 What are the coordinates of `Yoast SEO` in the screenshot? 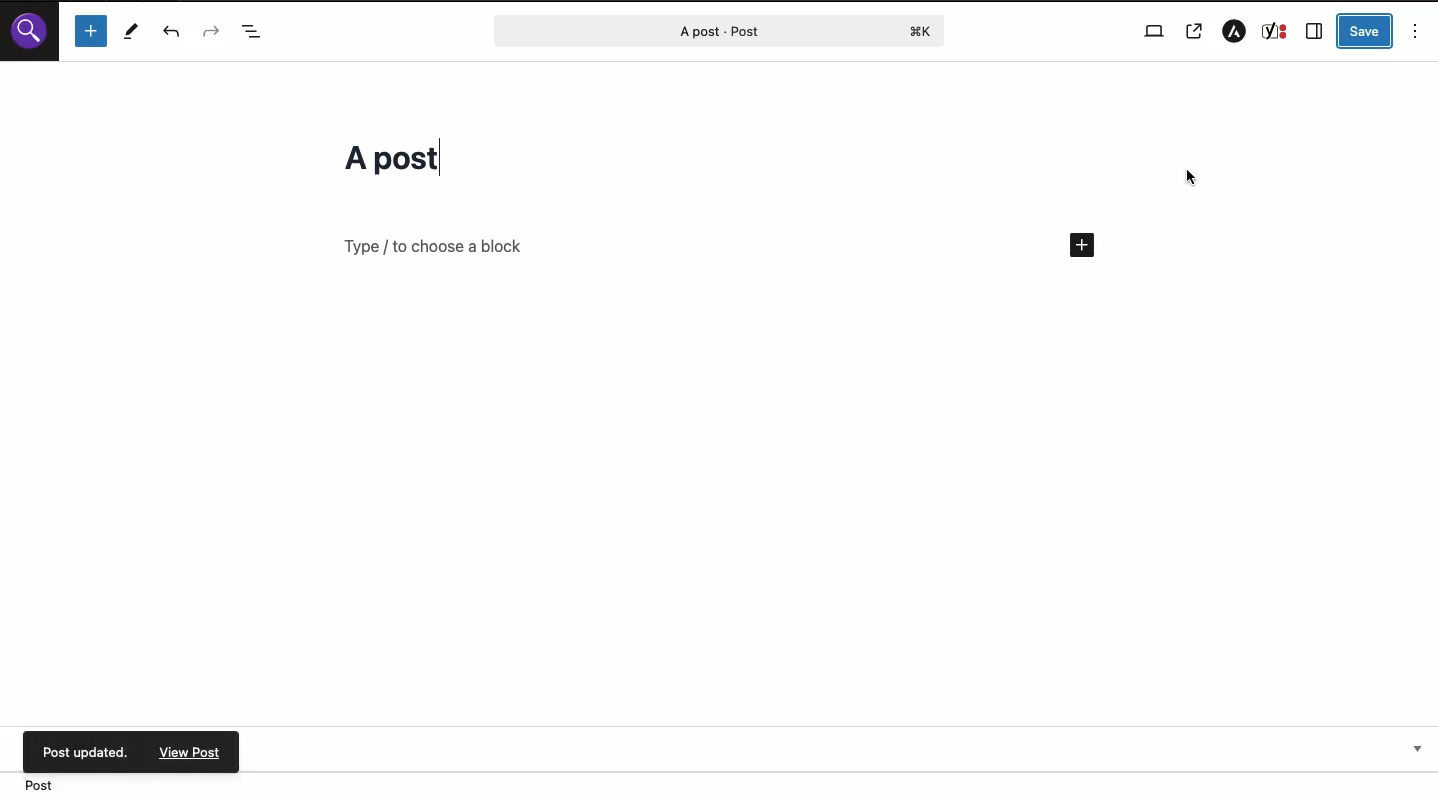 It's located at (847, 750).